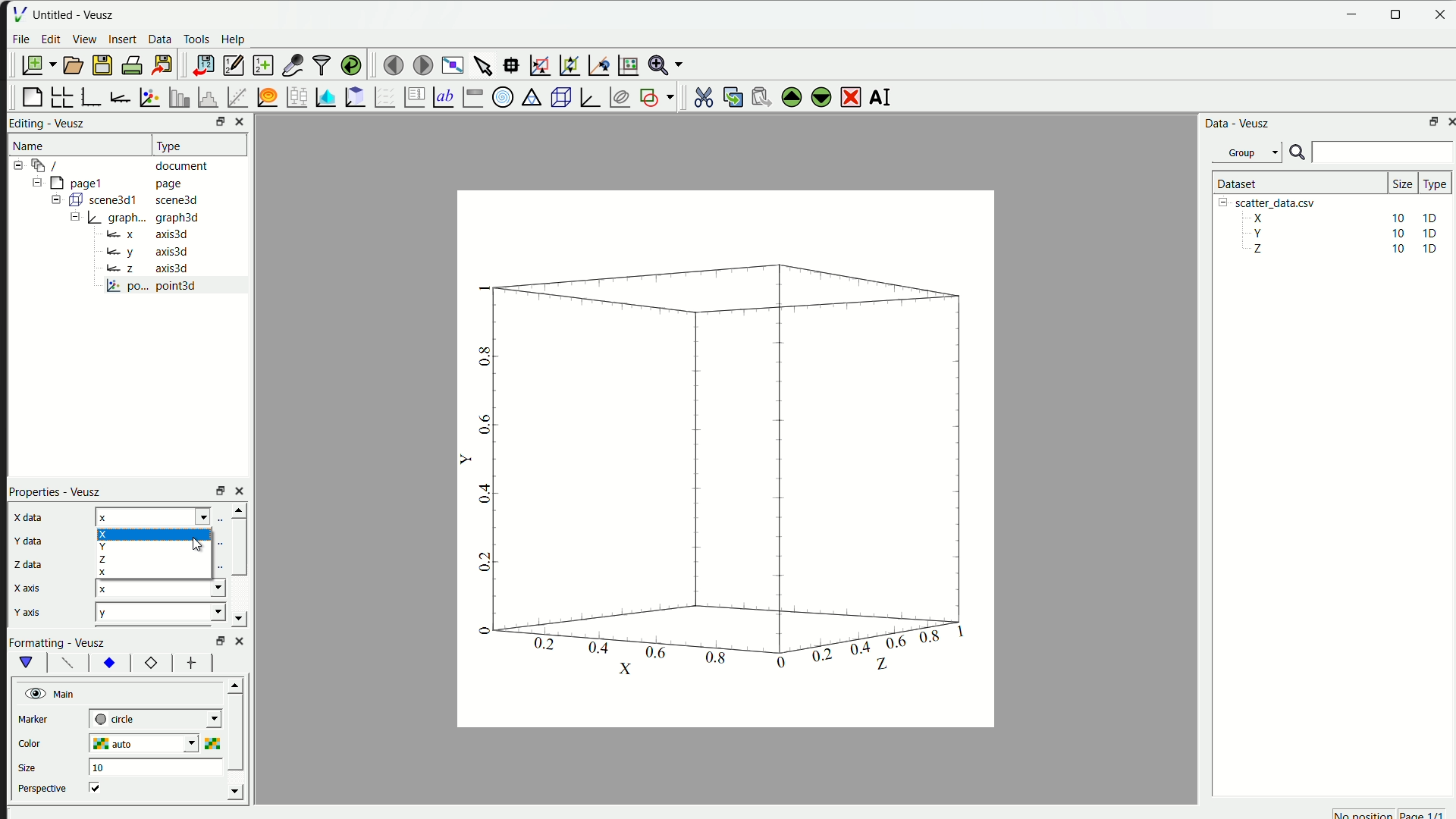 The width and height of the screenshot is (1456, 819). Describe the element at coordinates (242, 620) in the screenshot. I see `down` at that location.